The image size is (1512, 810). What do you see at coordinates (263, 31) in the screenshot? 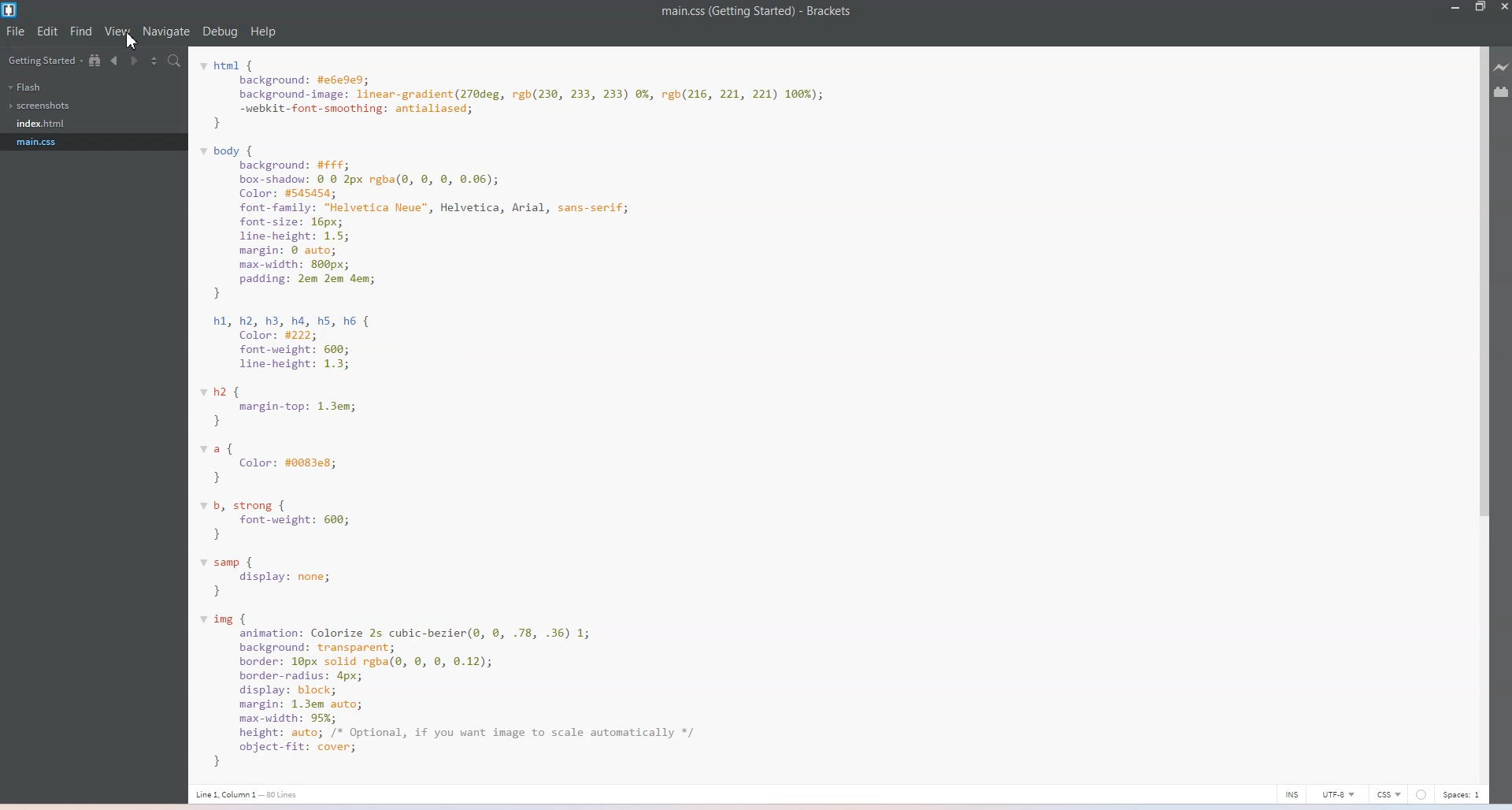
I see `Help` at bounding box center [263, 31].